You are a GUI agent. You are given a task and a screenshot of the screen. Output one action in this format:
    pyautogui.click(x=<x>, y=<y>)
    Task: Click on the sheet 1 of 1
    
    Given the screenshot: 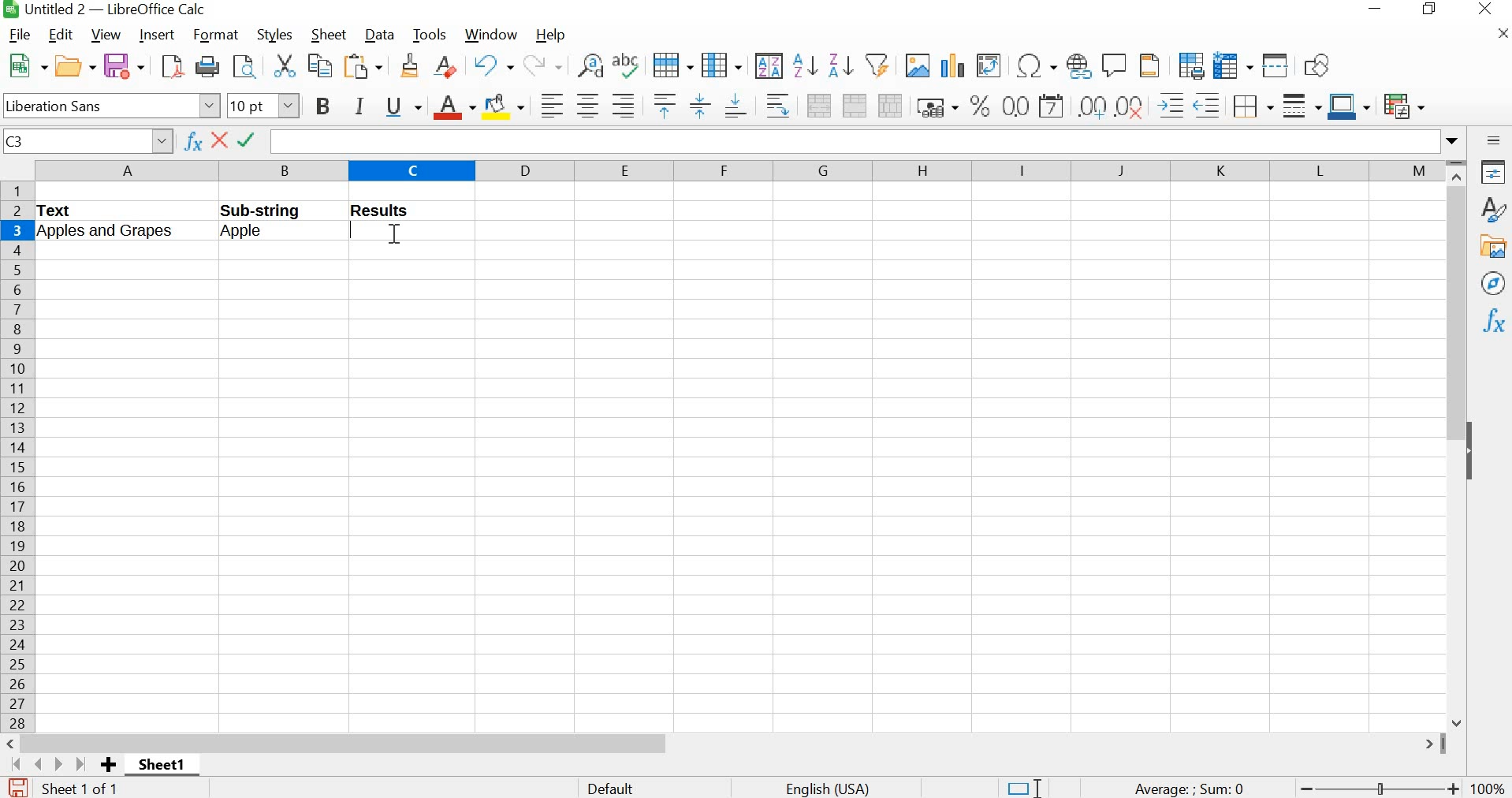 What is the action you would take?
    pyautogui.click(x=81, y=789)
    